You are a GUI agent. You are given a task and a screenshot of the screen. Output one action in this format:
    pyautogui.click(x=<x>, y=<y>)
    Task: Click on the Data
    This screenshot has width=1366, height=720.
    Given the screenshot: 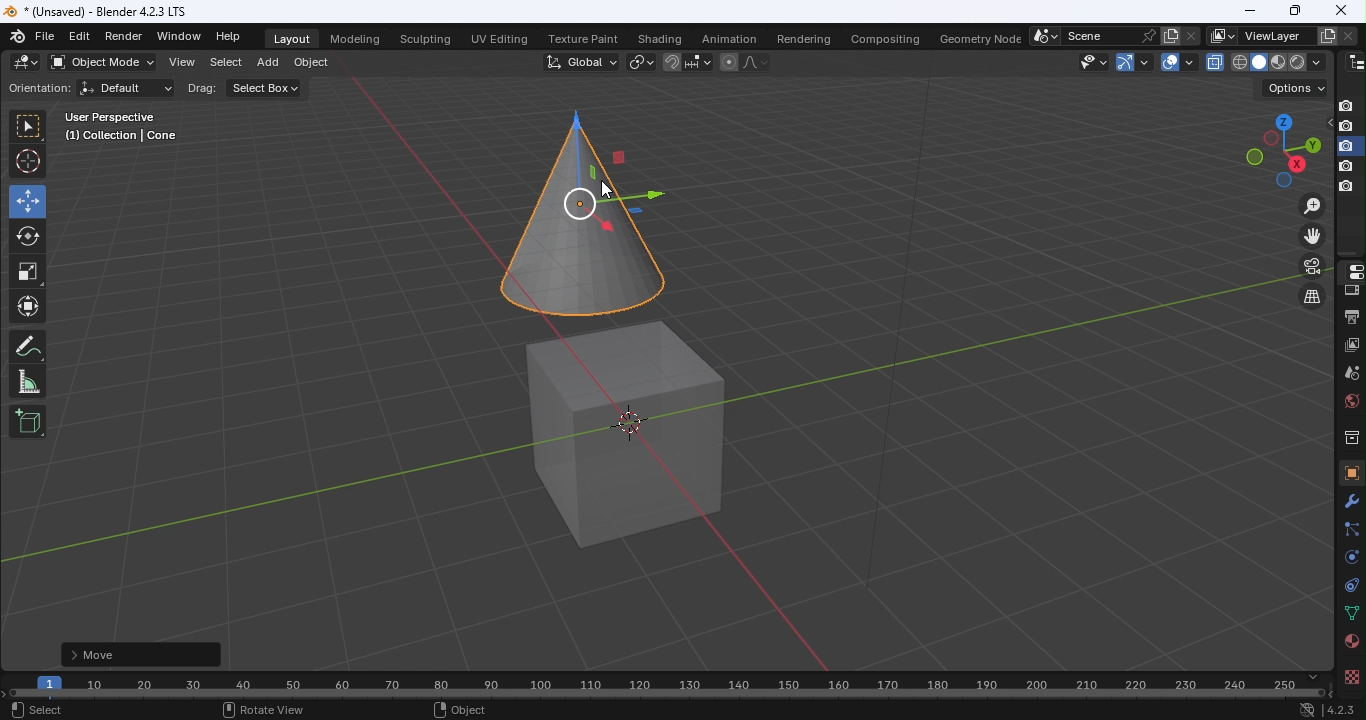 What is the action you would take?
    pyautogui.click(x=1351, y=614)
    